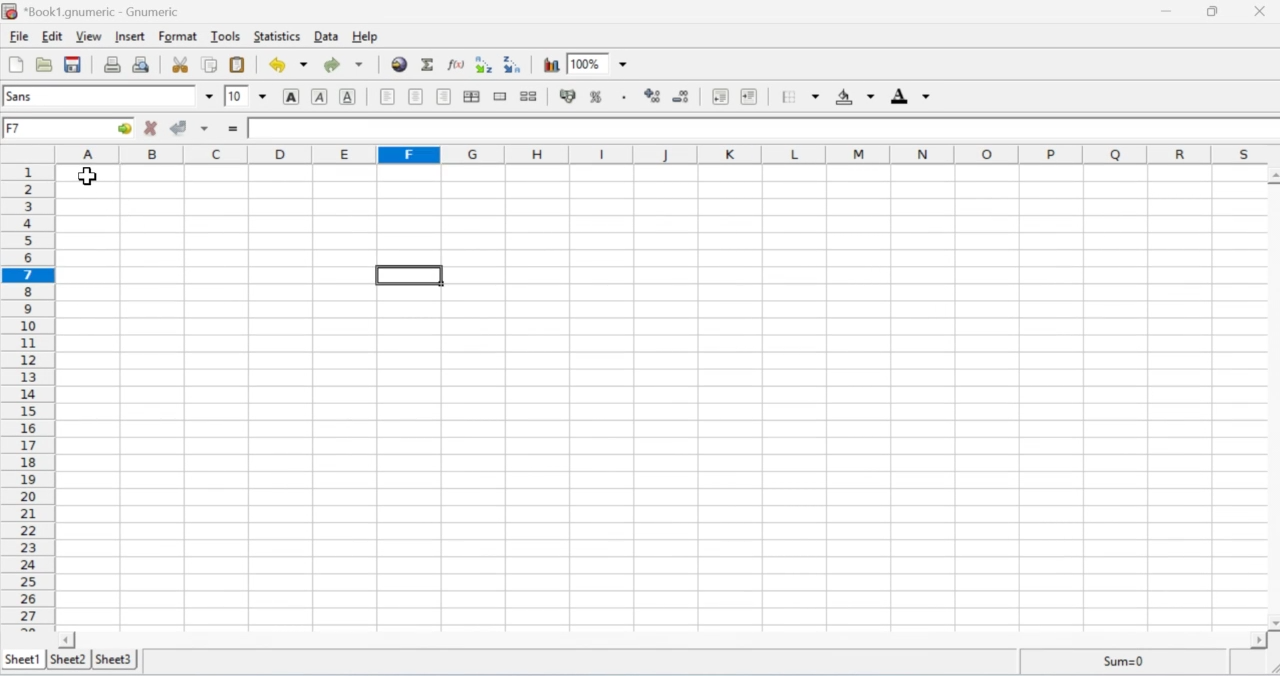  I want to click on Align right, so click(446, 97).